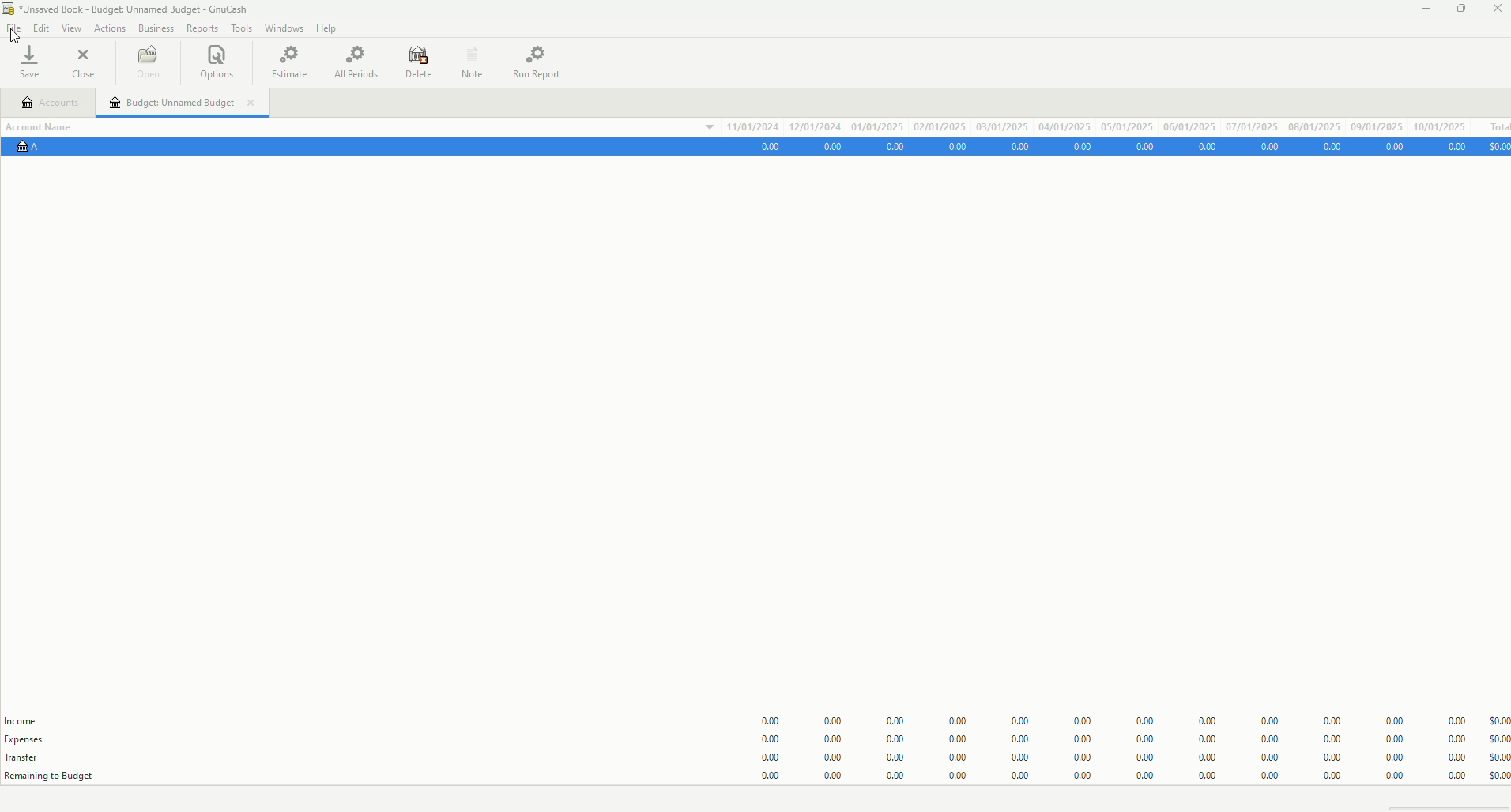 Image resolution: width=1511 pixels, height=812 pixels. Describe the element at coordinates (34, 740) in the screenshot. I see `Expenses` at that location.